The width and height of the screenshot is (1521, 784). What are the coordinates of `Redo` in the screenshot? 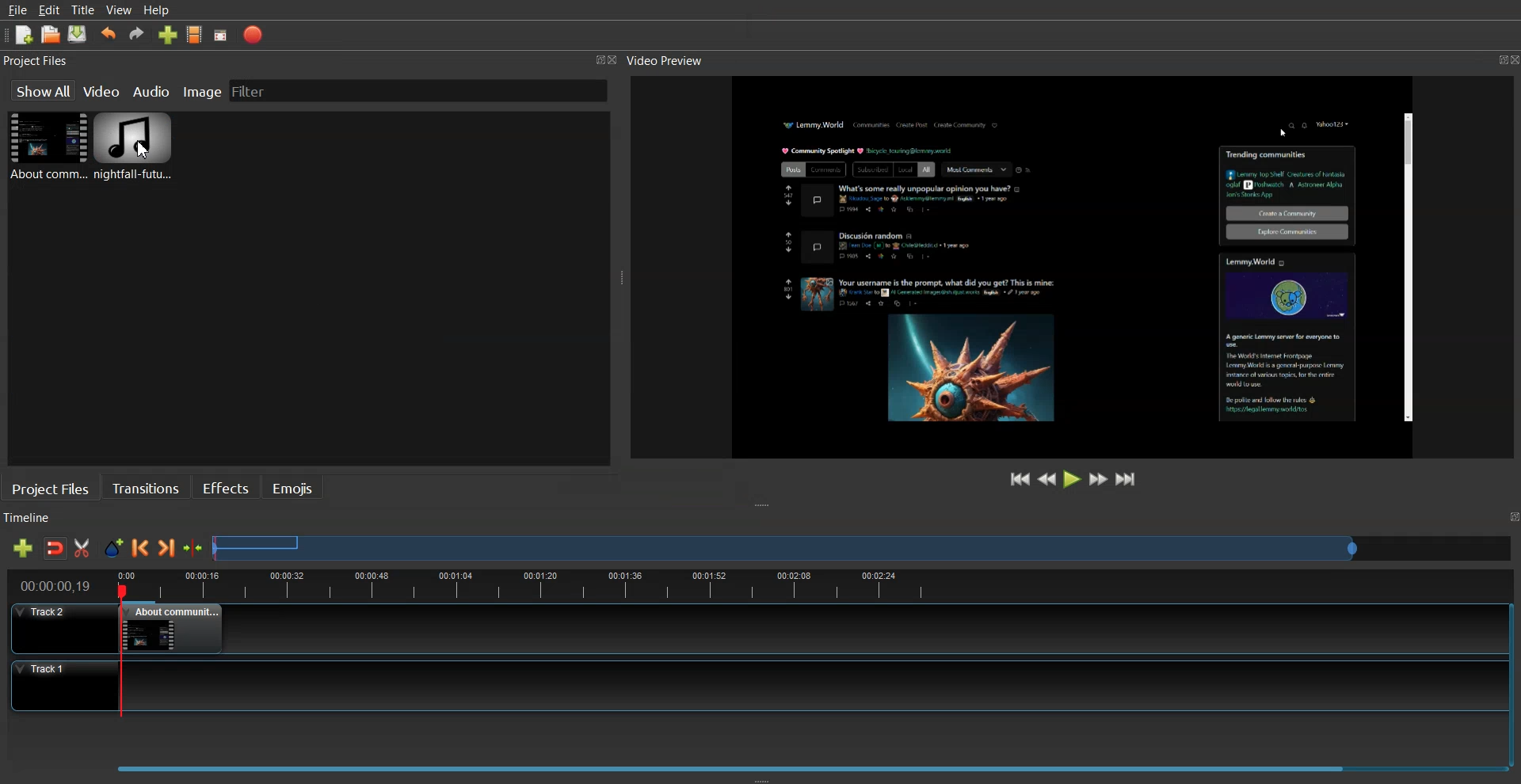 It's located at (137, 33).